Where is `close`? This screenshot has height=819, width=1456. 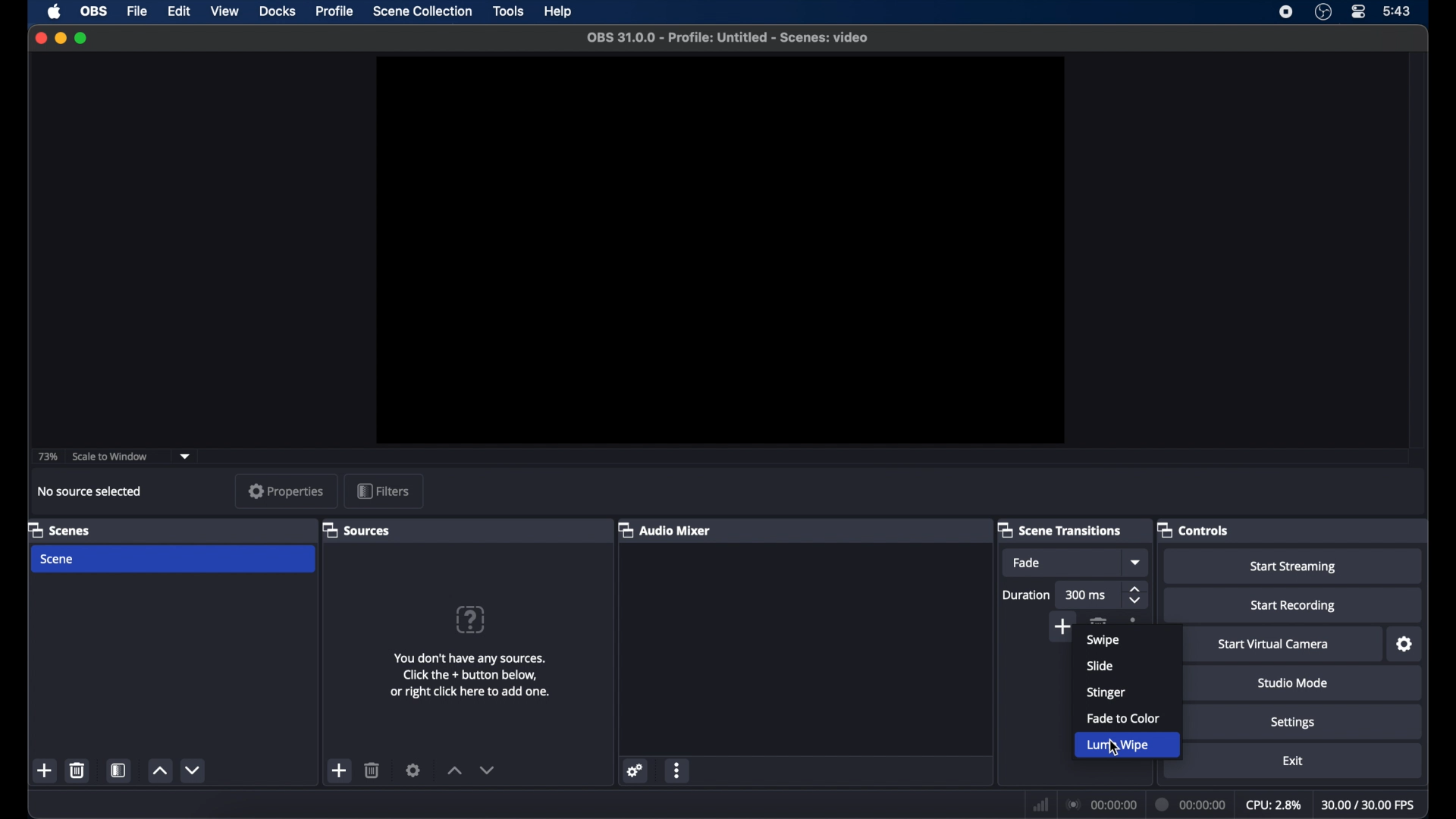 close is located at coordinates (40, 37).